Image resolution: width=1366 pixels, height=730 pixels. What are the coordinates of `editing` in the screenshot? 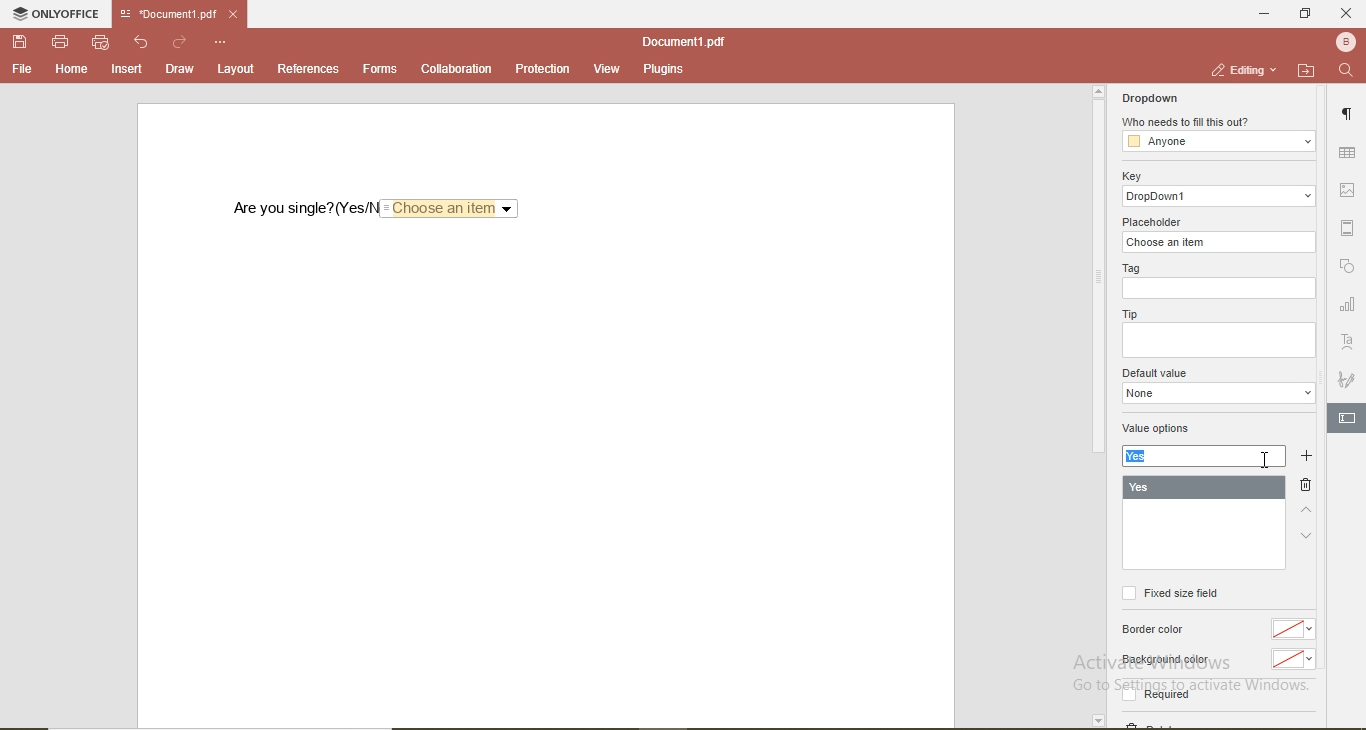 It's located at (1246, 68).